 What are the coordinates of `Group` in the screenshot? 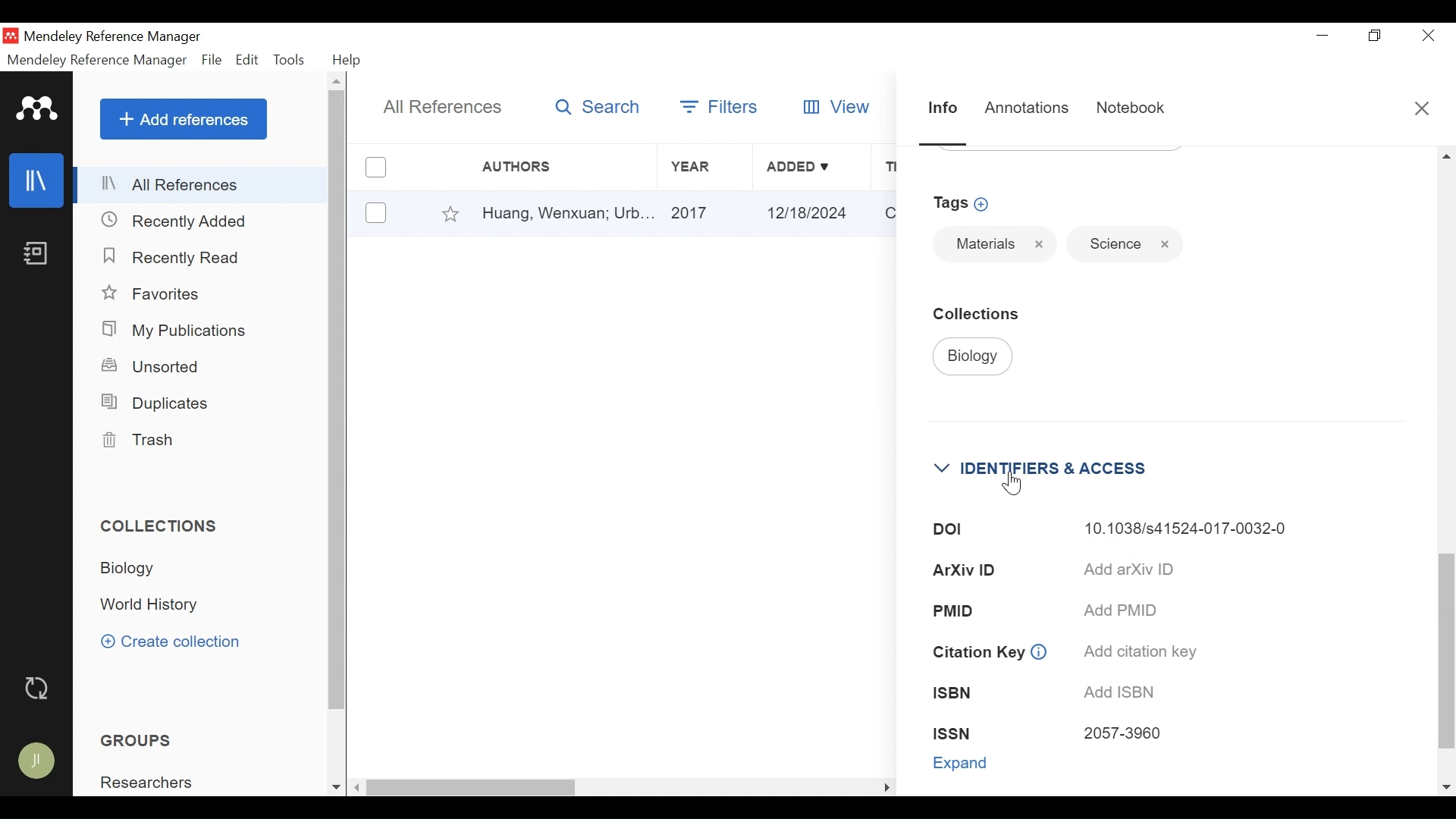 It's located at (155, 783).